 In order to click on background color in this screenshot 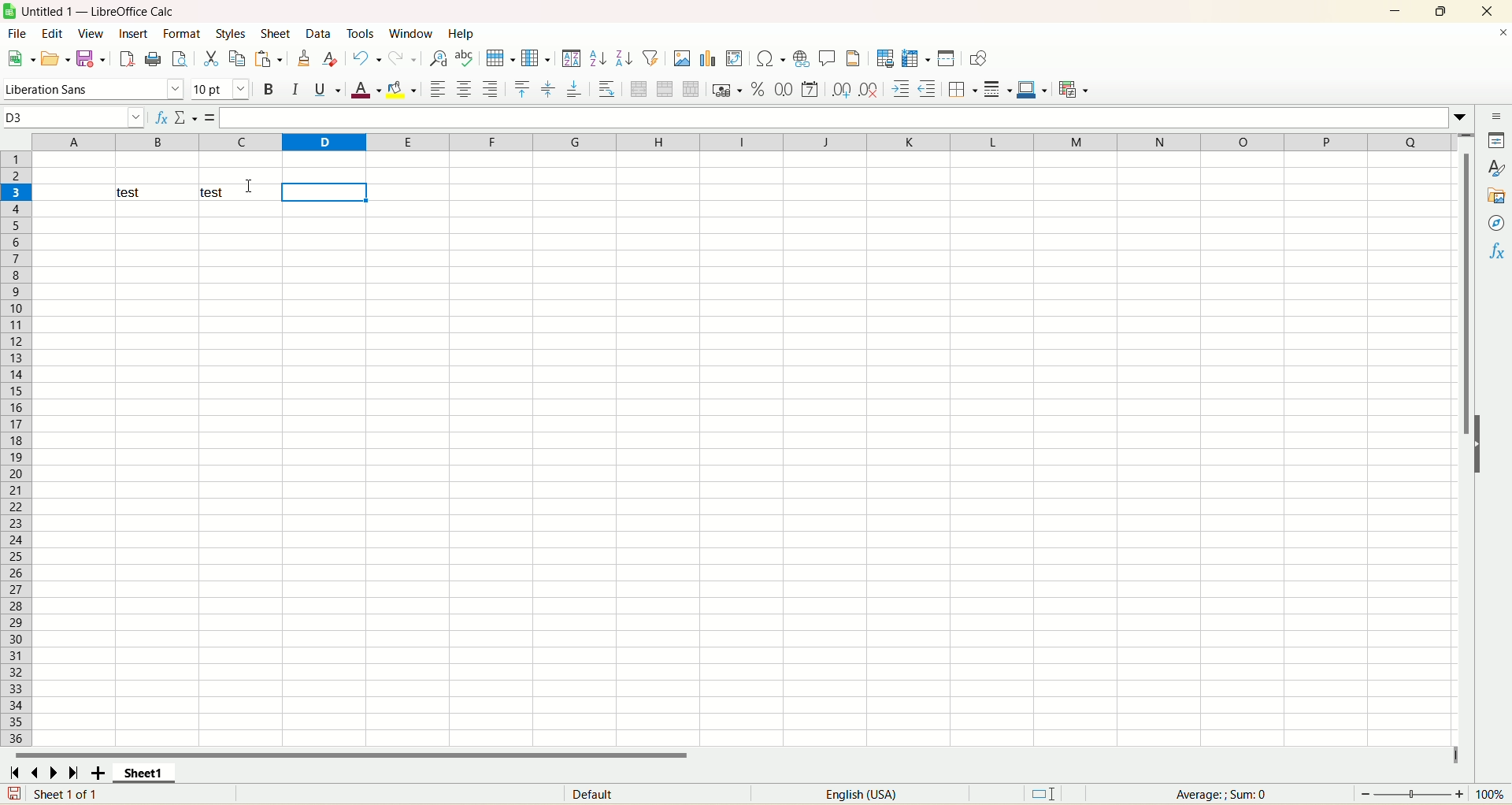, I will do `click(402, 89)`.